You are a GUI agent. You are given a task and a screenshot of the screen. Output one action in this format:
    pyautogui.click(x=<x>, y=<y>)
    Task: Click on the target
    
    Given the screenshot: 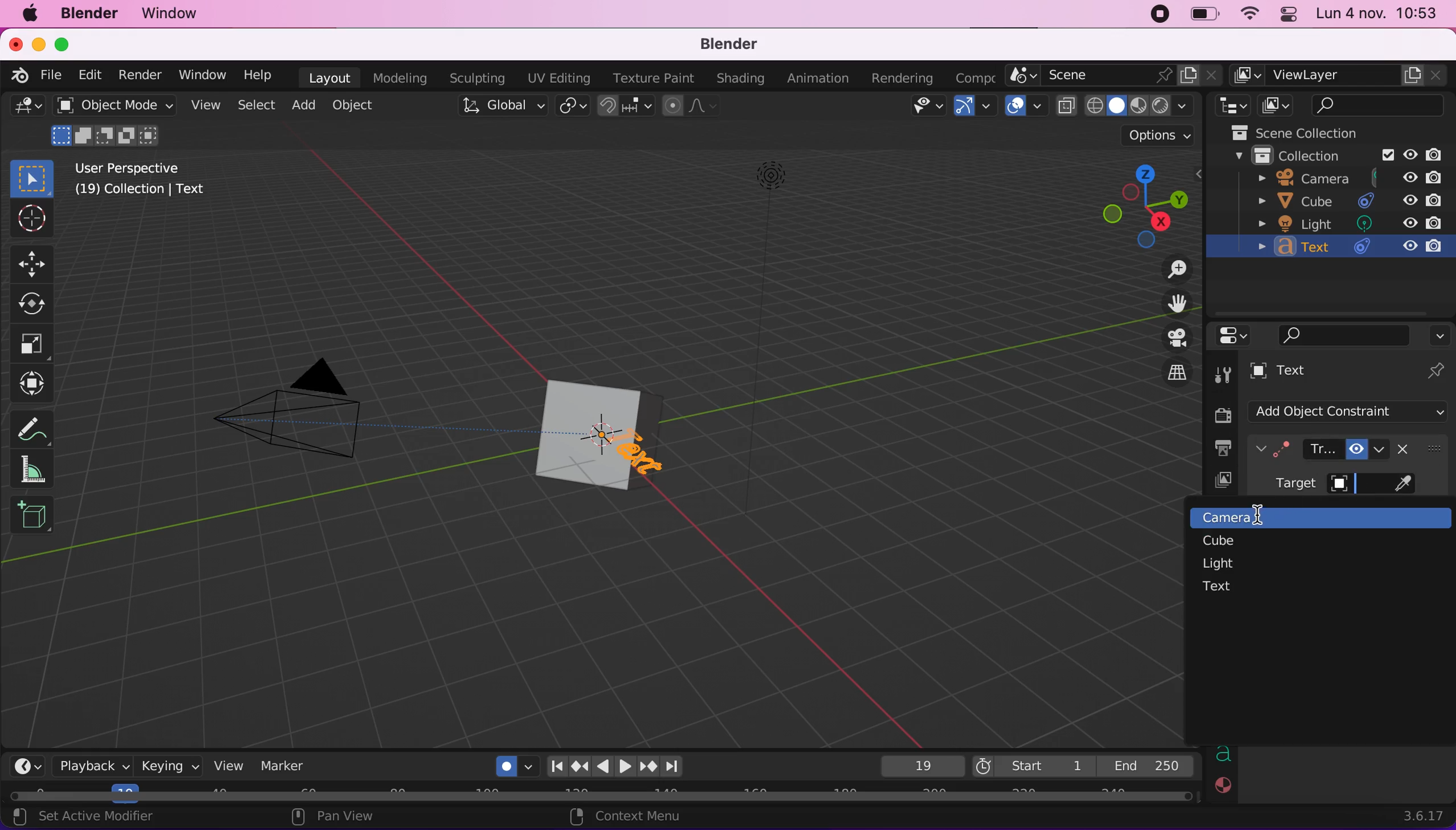 What is the action you would take?
    pyautogui.click(x=1317, y=486)
    